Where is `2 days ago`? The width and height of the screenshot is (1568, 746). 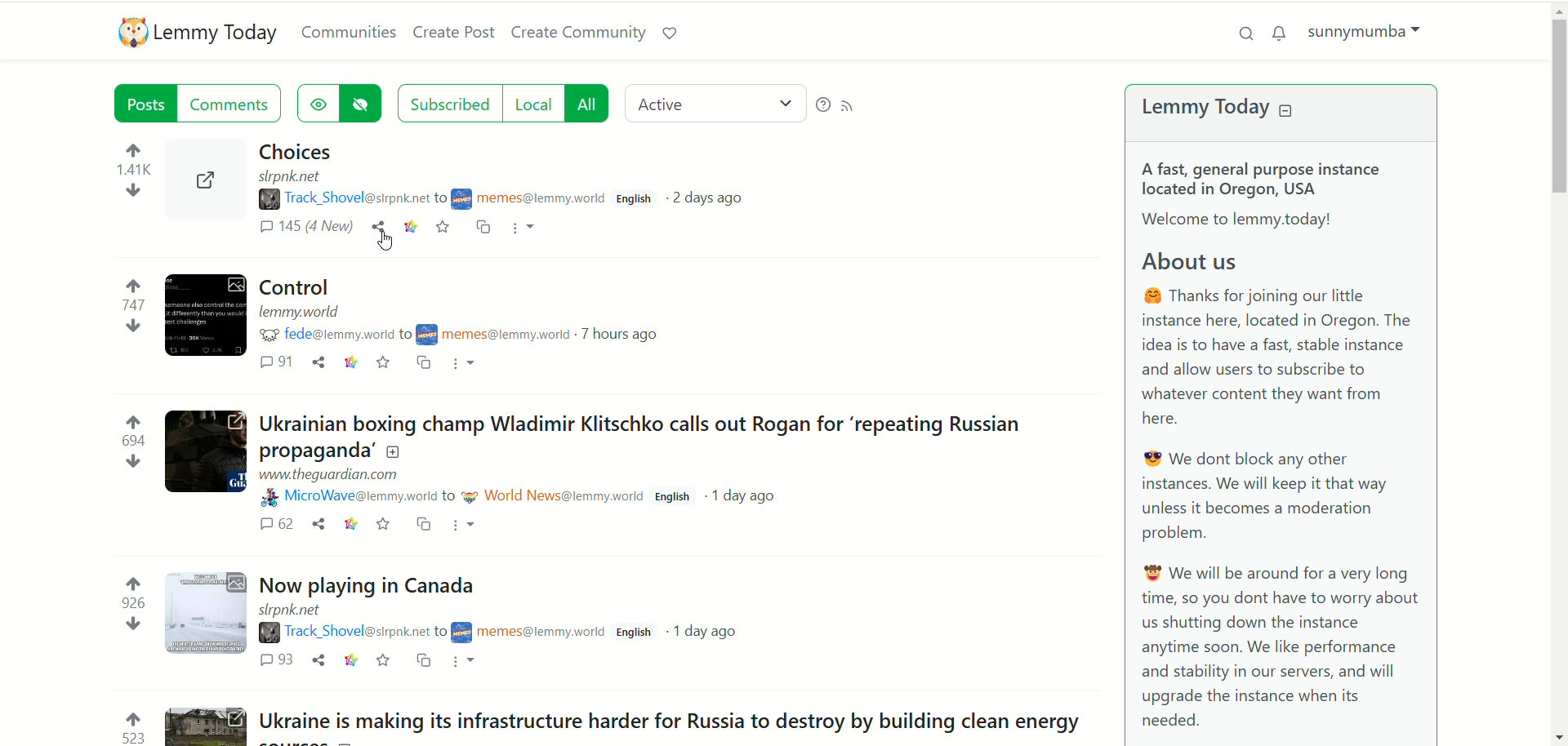
2 days ago is located at coordinates (706, 196).